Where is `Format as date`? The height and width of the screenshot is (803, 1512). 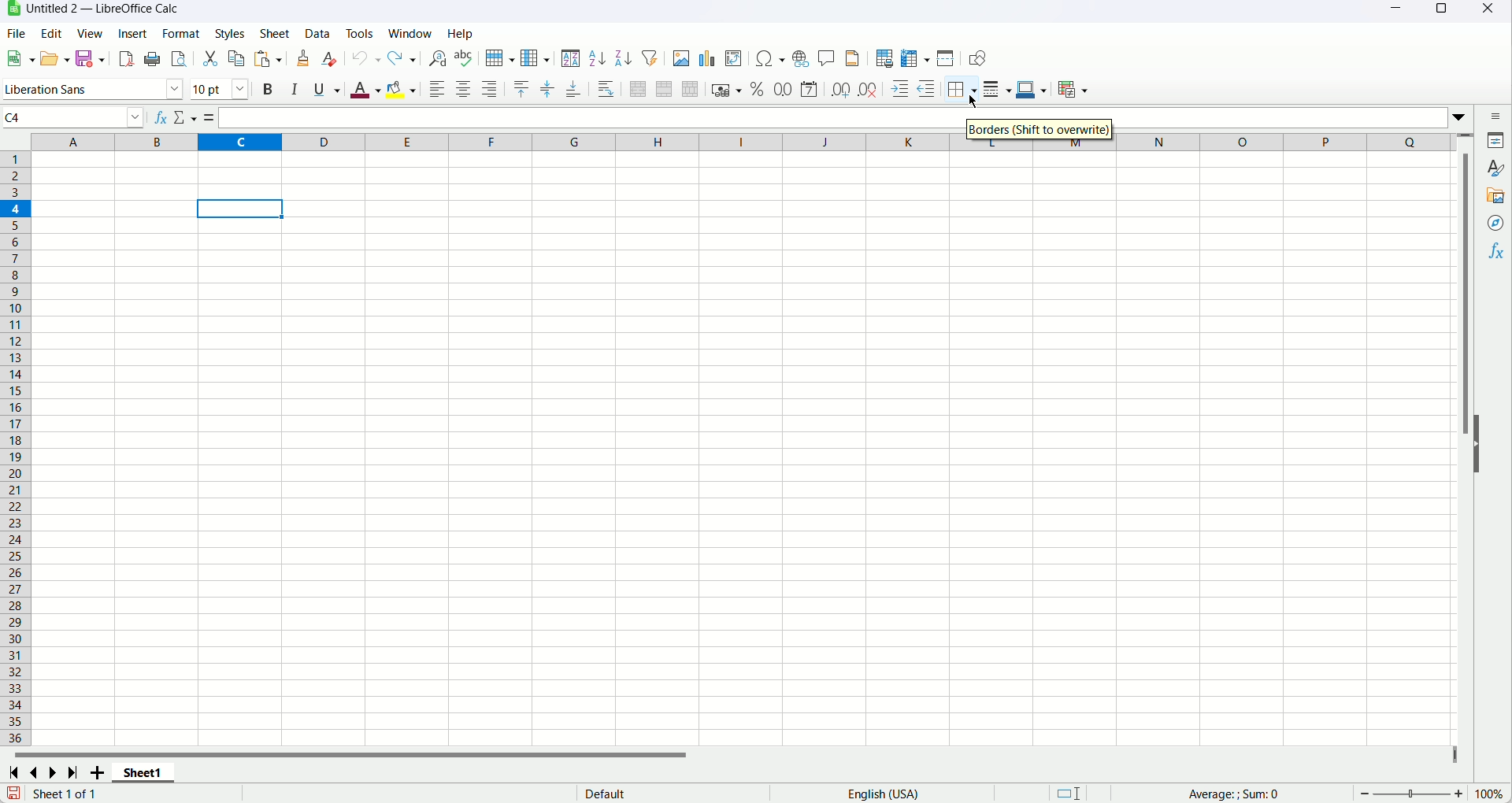 Format as date is located at coordinates (808, 89).